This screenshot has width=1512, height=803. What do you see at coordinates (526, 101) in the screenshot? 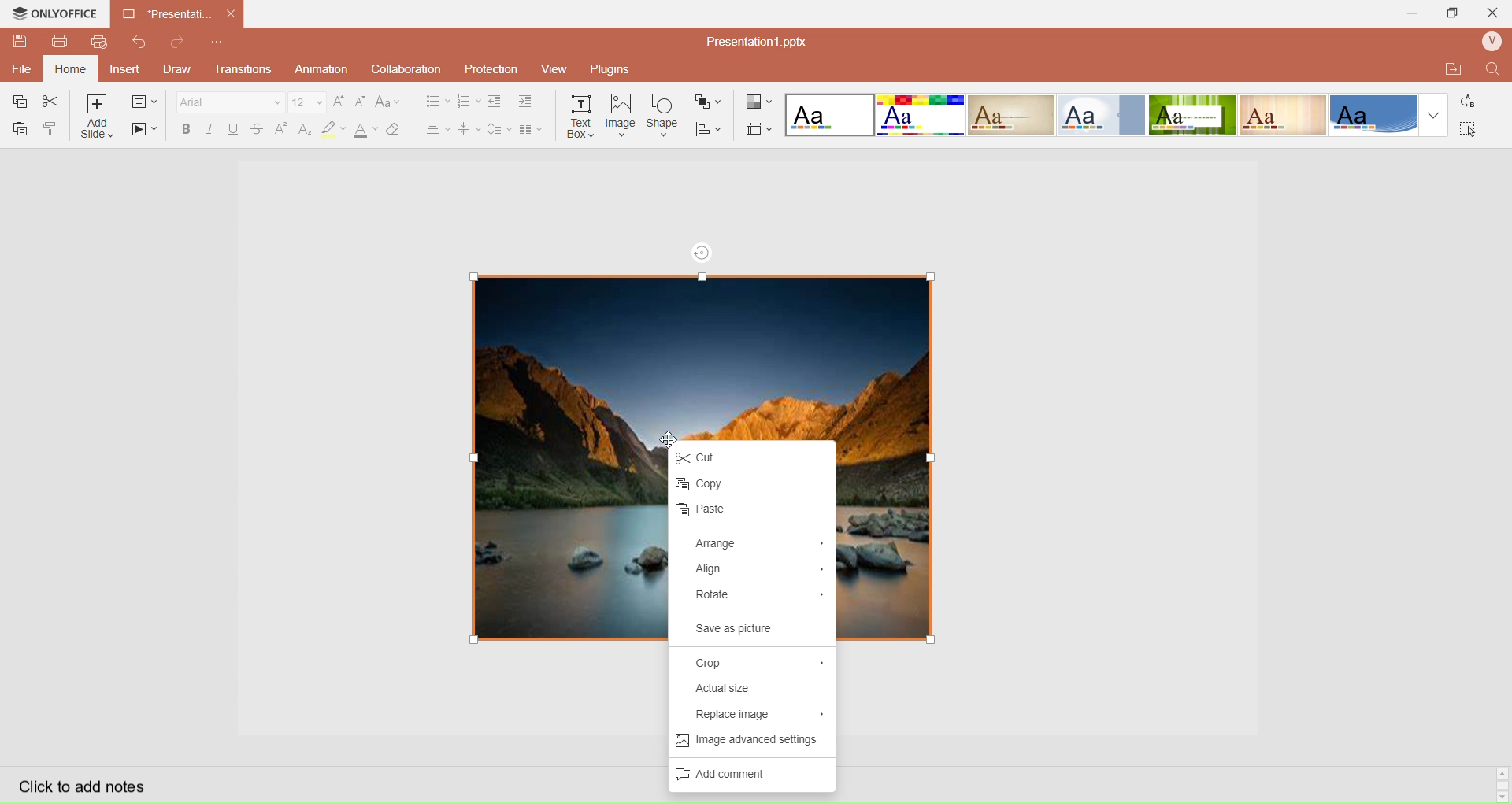
I see `Increase Indent` at bounding box center [526, 101].